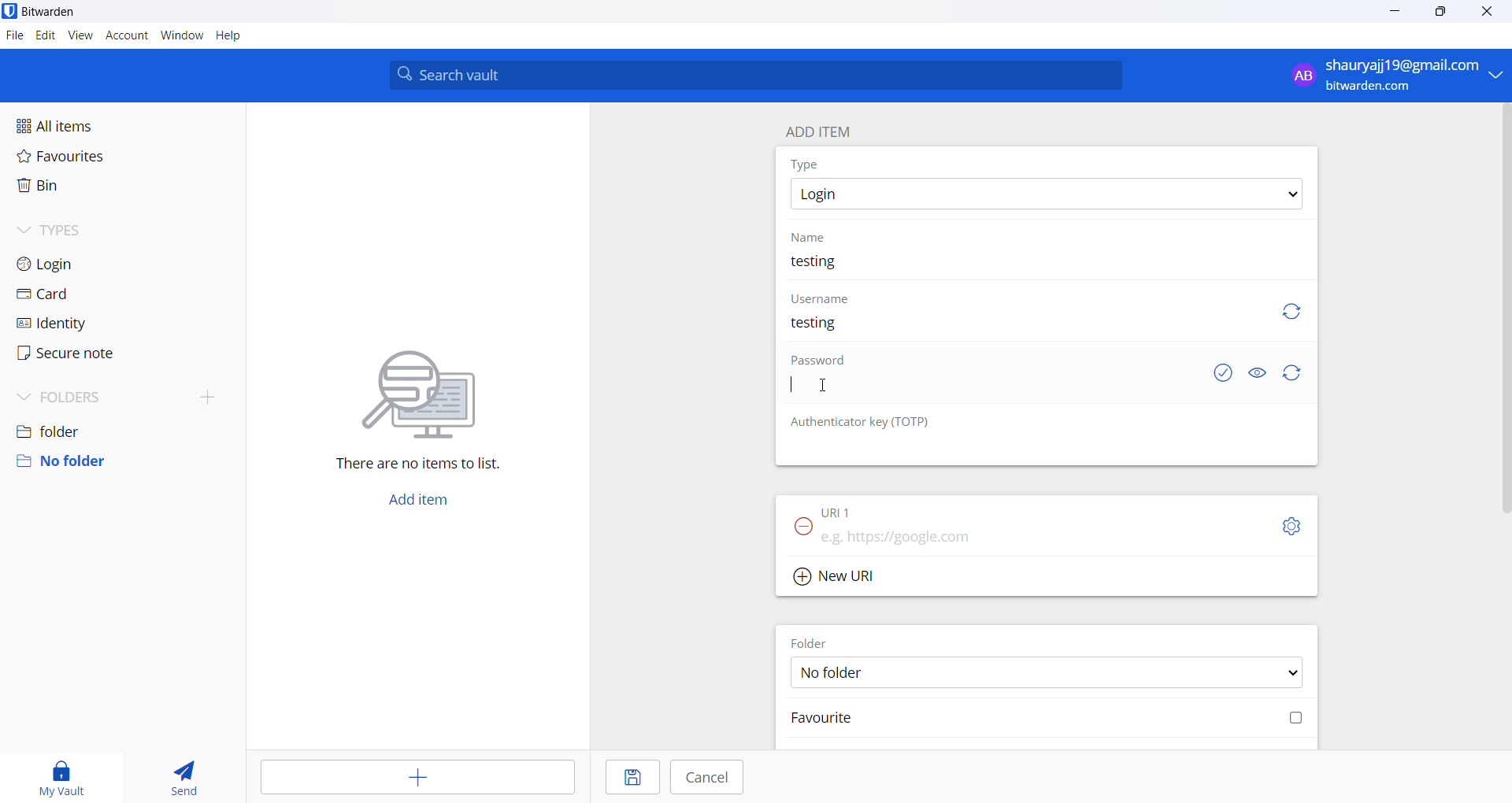 Image resolution: width=1512 pixels, height=803 pixels. Describe the element at coordinates (58, 13) in the screenshot. I see `application name and logo` at that location.